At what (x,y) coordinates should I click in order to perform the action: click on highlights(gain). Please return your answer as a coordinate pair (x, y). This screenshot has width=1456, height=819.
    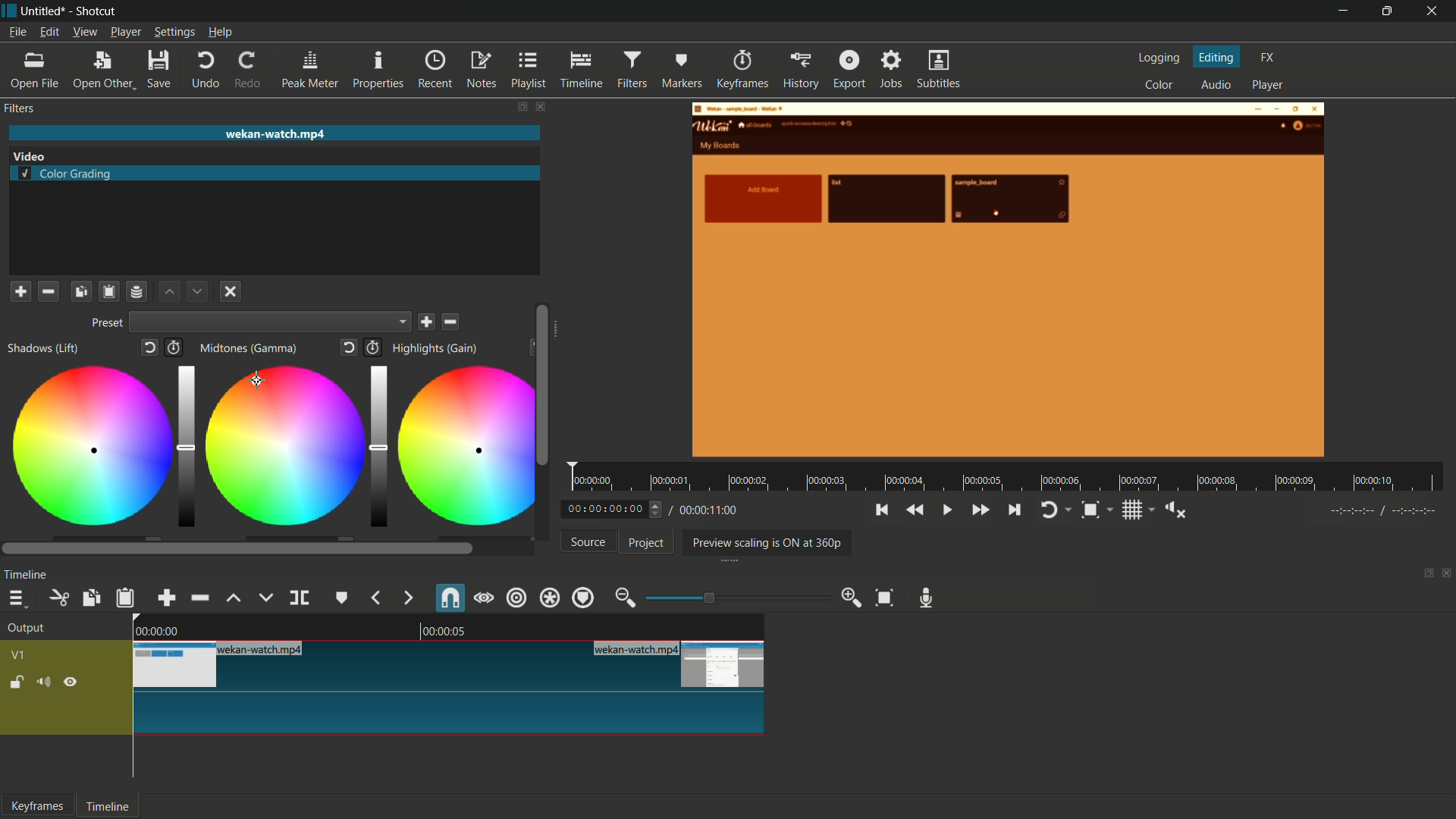
    Looking at the image, I should click on (437, 349).